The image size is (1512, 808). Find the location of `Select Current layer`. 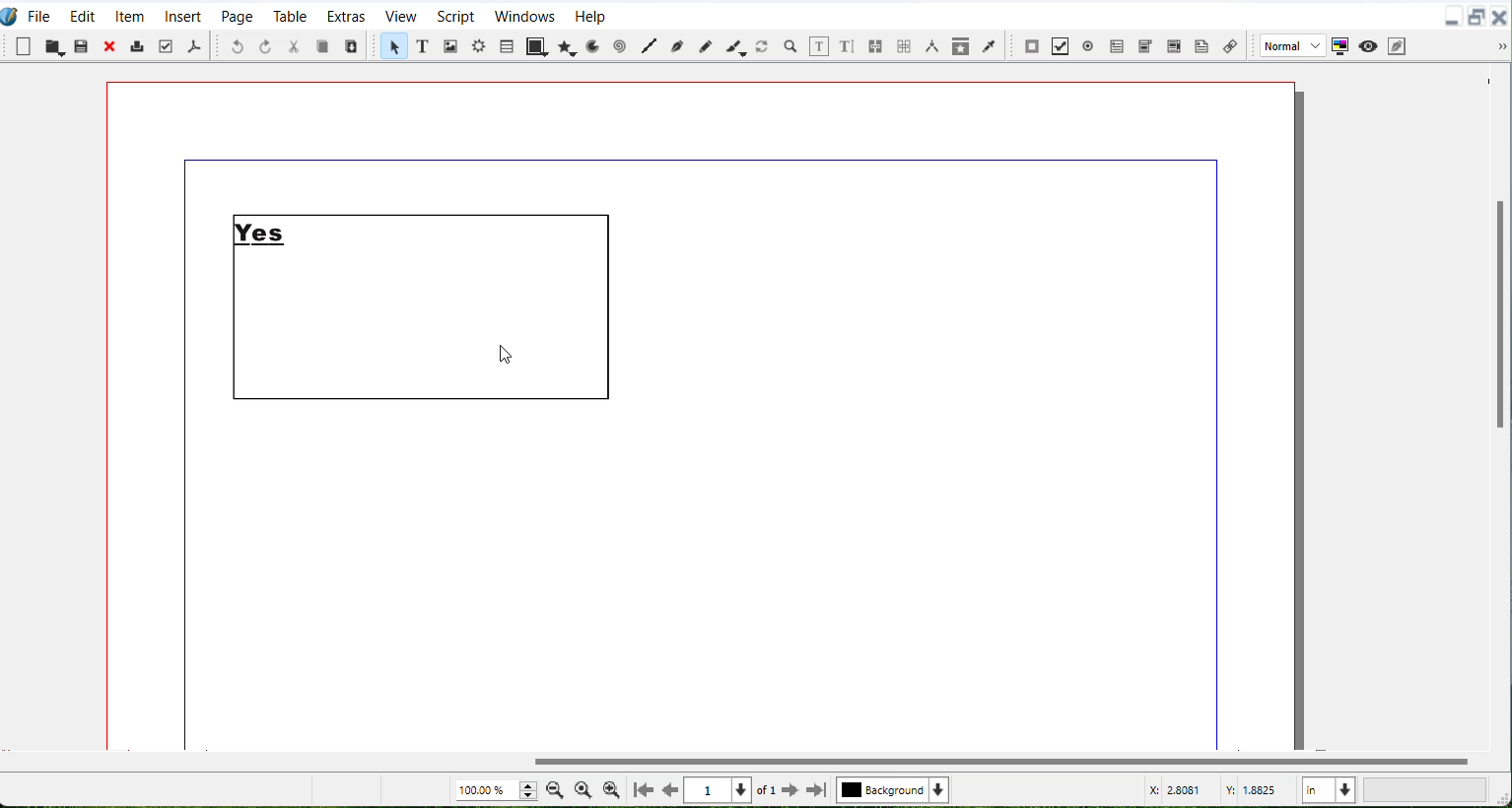

Select Current layer is located at coordinates (896, 790).